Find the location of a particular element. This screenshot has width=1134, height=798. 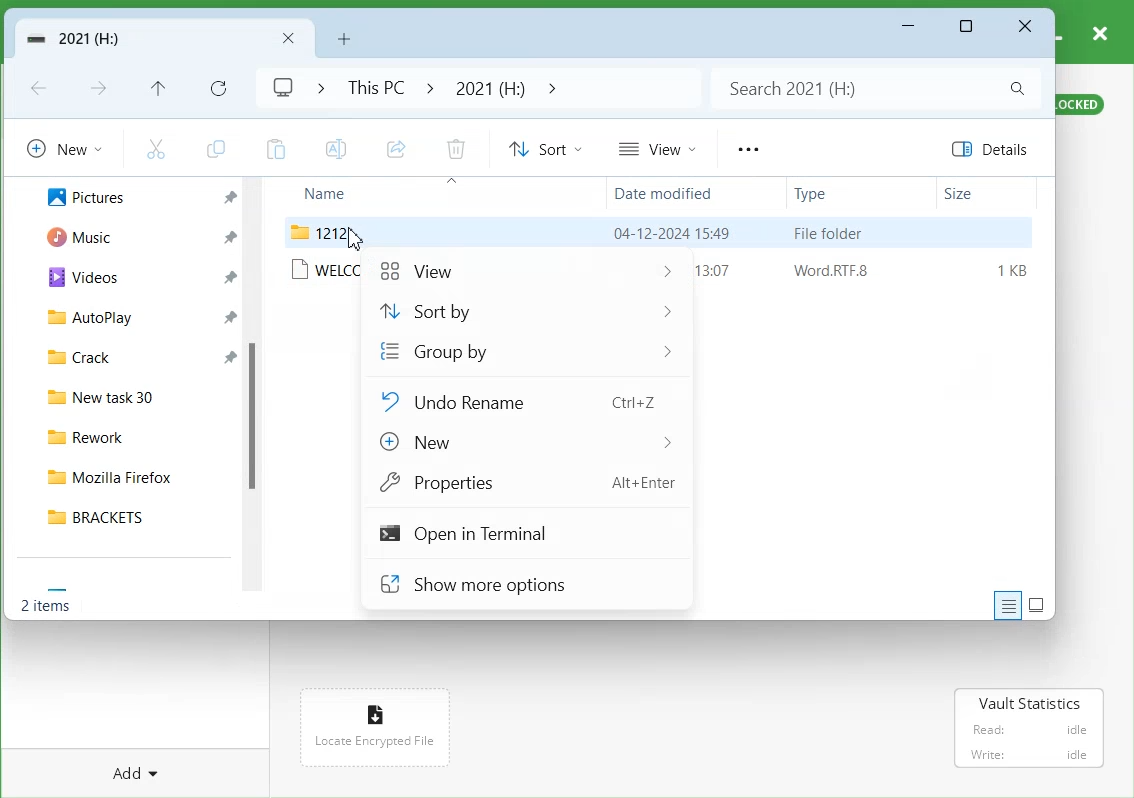

close is located at coordinates (1101, 31).